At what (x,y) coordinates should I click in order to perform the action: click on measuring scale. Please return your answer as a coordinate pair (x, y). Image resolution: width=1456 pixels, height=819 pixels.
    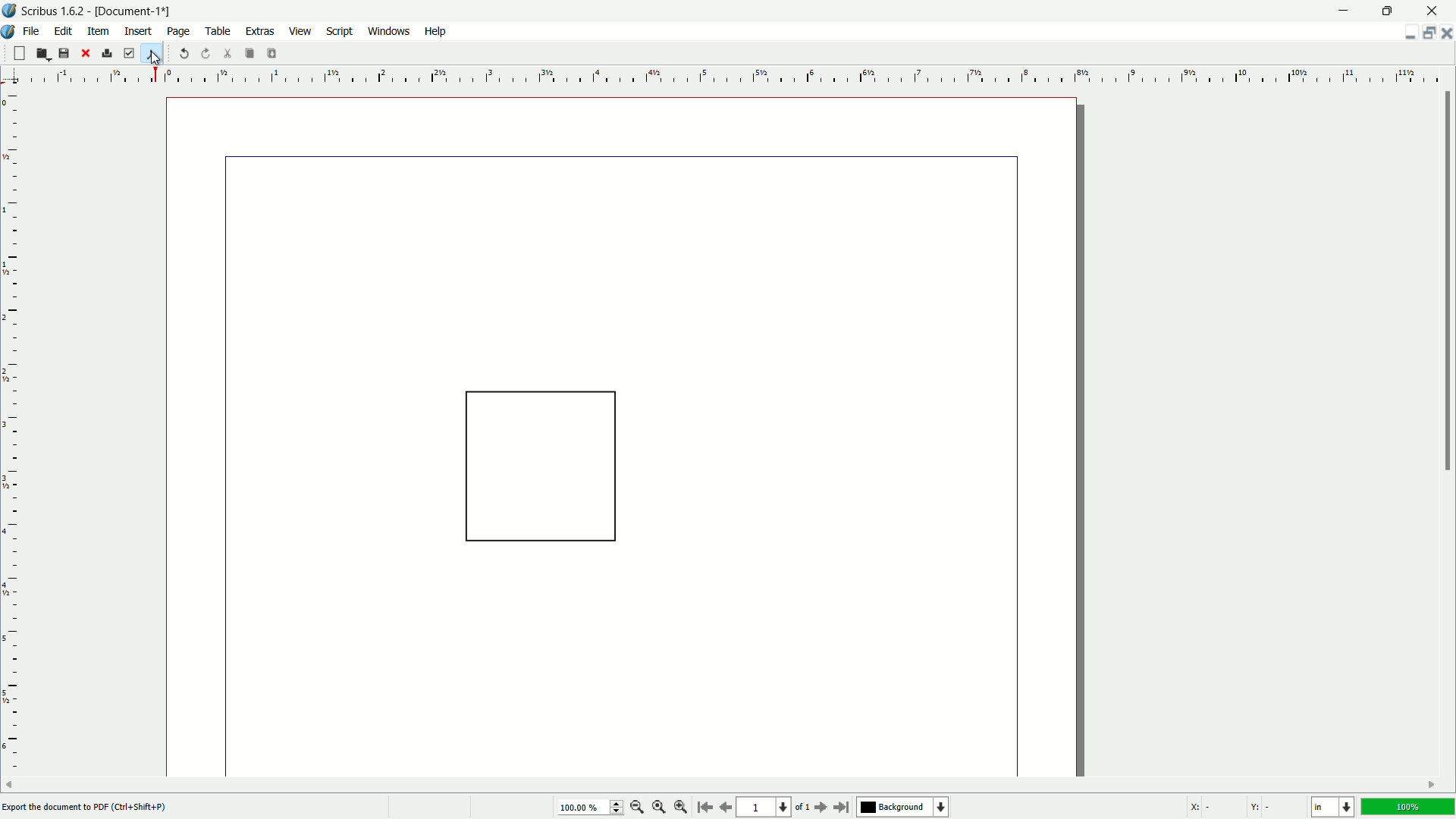
    Looking at the image, I should click on (745, 75).